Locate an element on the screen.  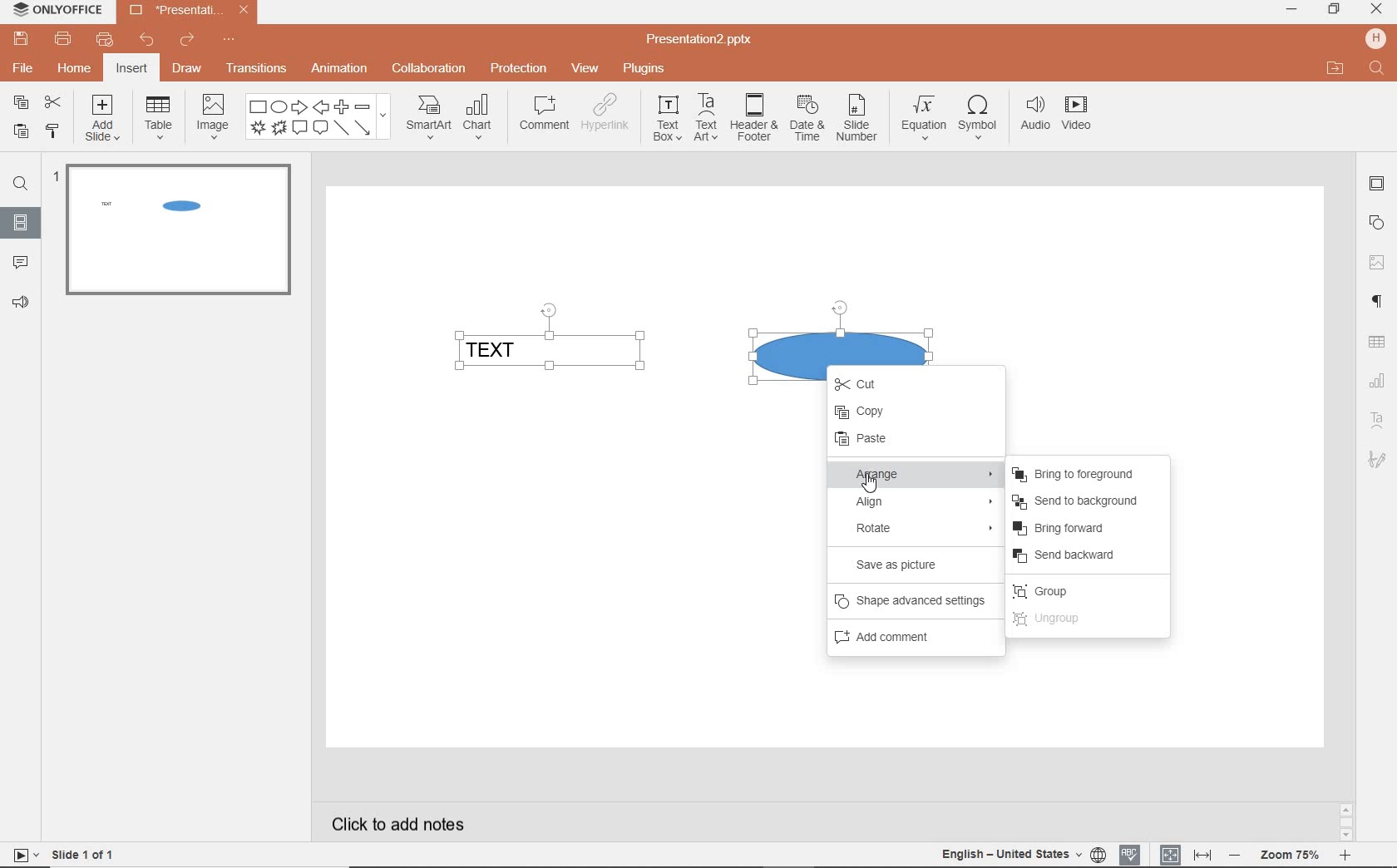
CLICK TO ADD NOTES is located at coordinates (402, 822).